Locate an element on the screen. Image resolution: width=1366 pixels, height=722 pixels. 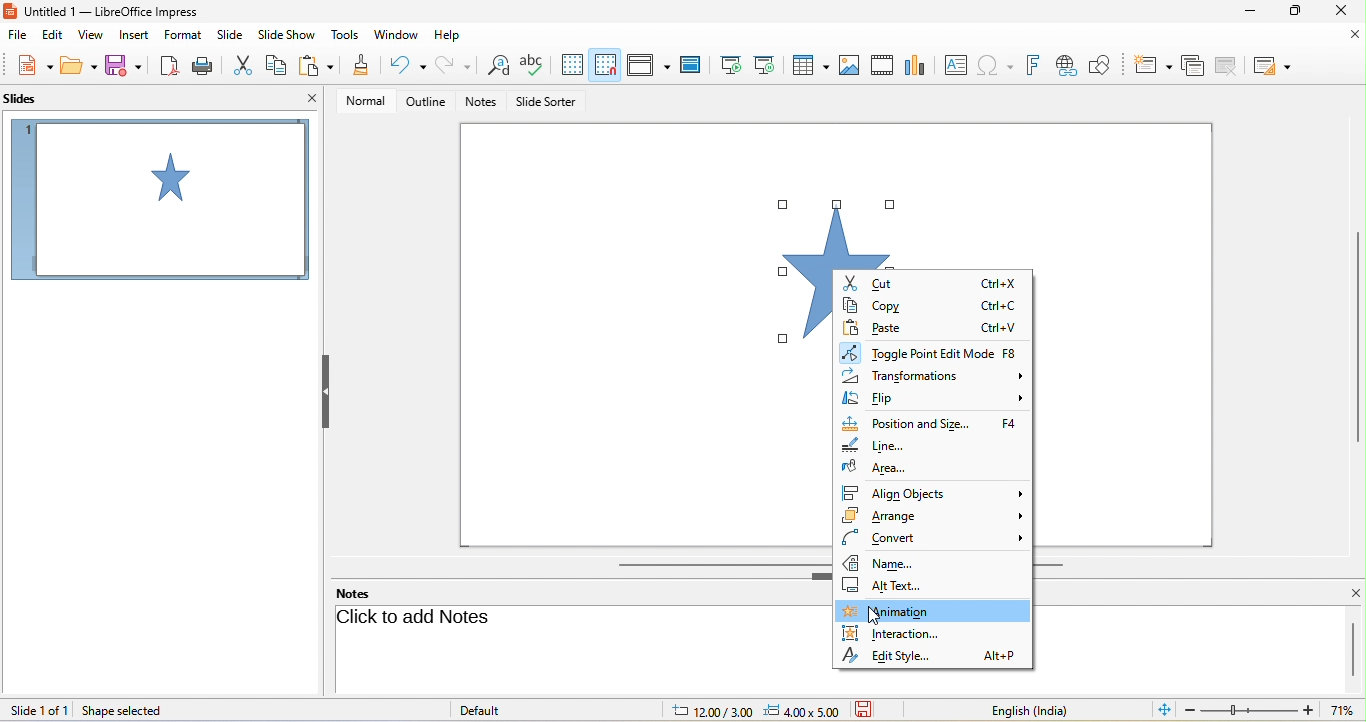
video/audio is located at coordinates (882, 64).